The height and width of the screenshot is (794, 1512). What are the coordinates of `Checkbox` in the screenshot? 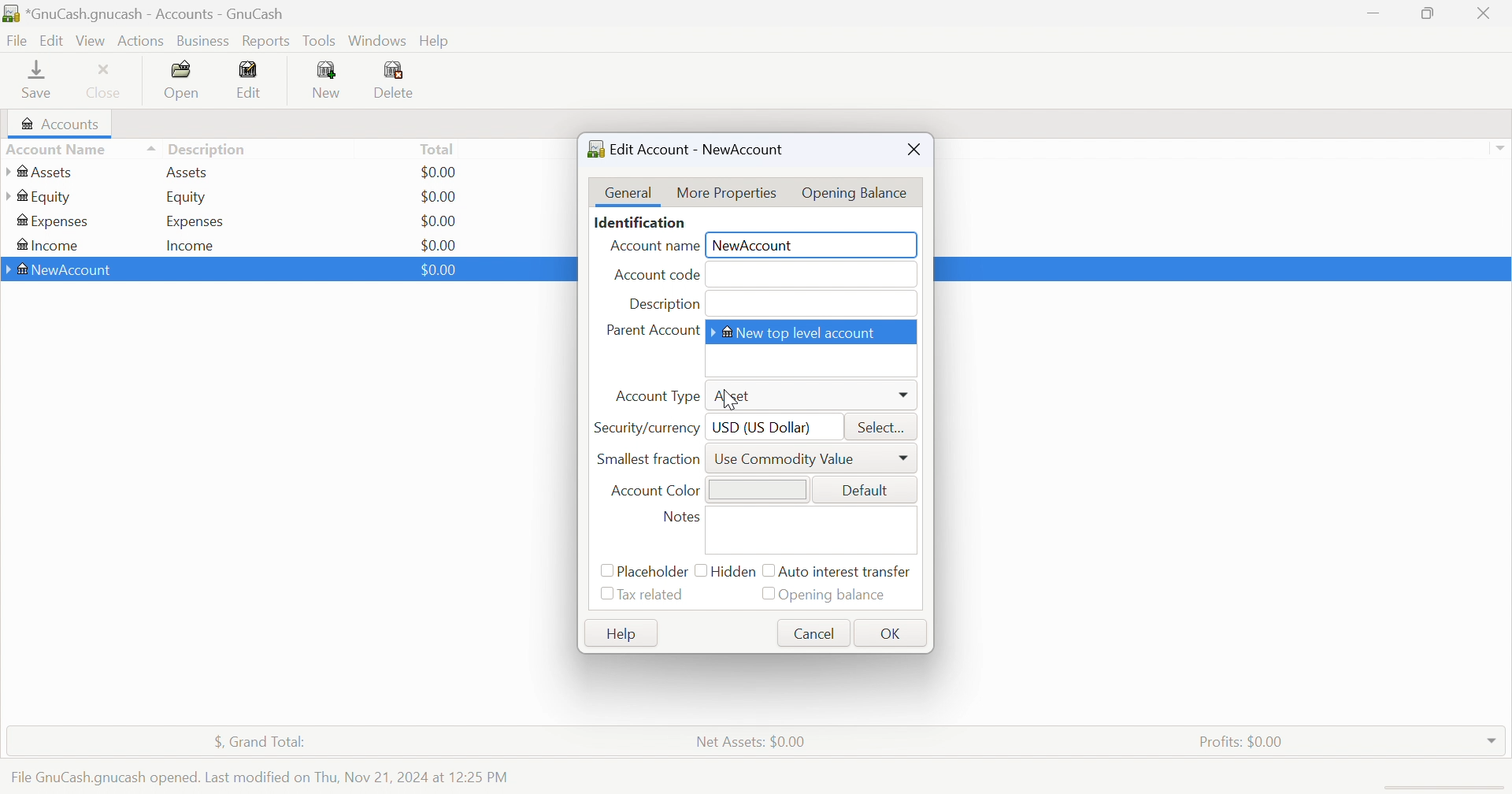 It's located at (766, 595).